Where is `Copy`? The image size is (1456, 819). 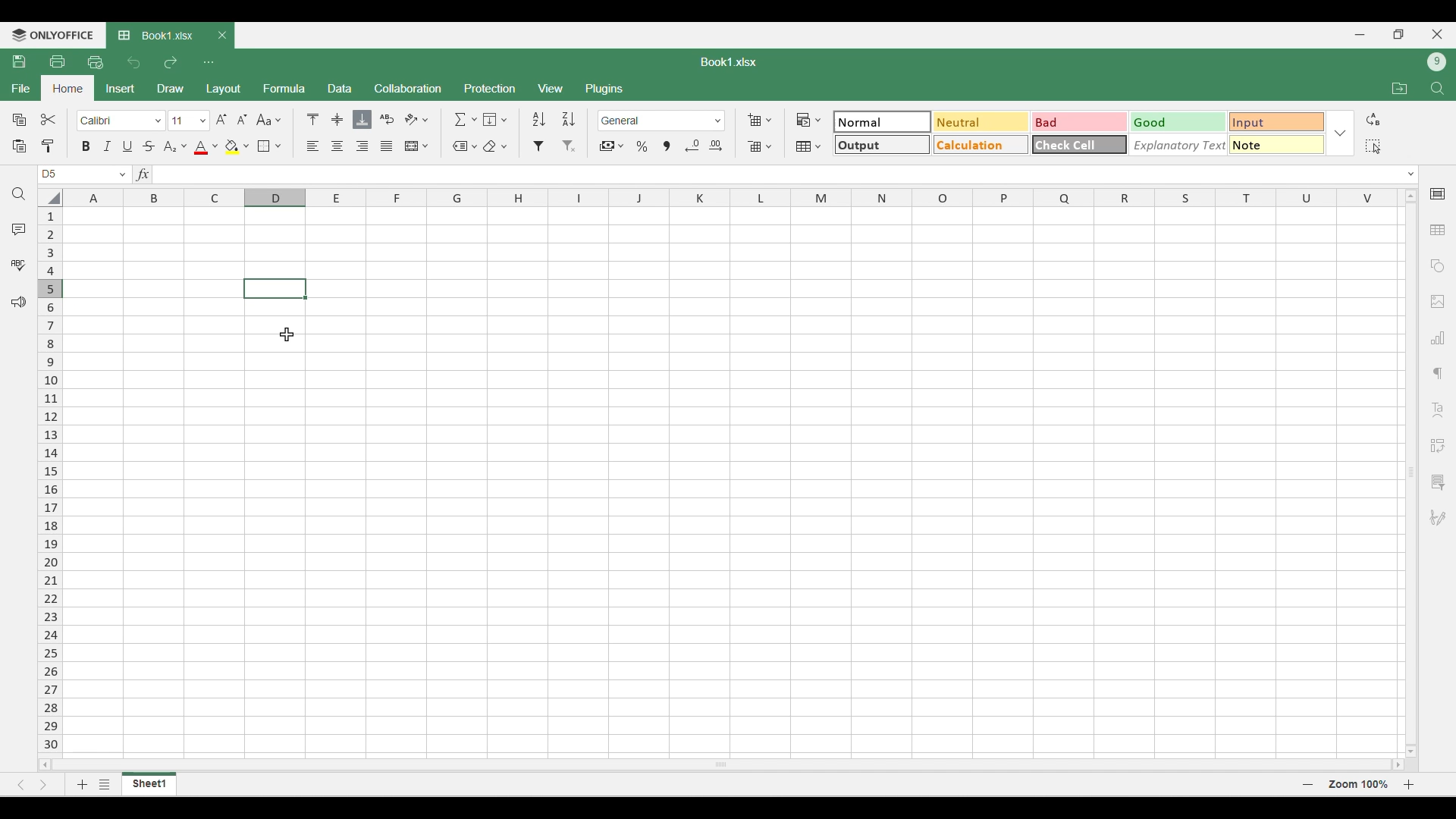 Copy is located at coordinates (20, 119).